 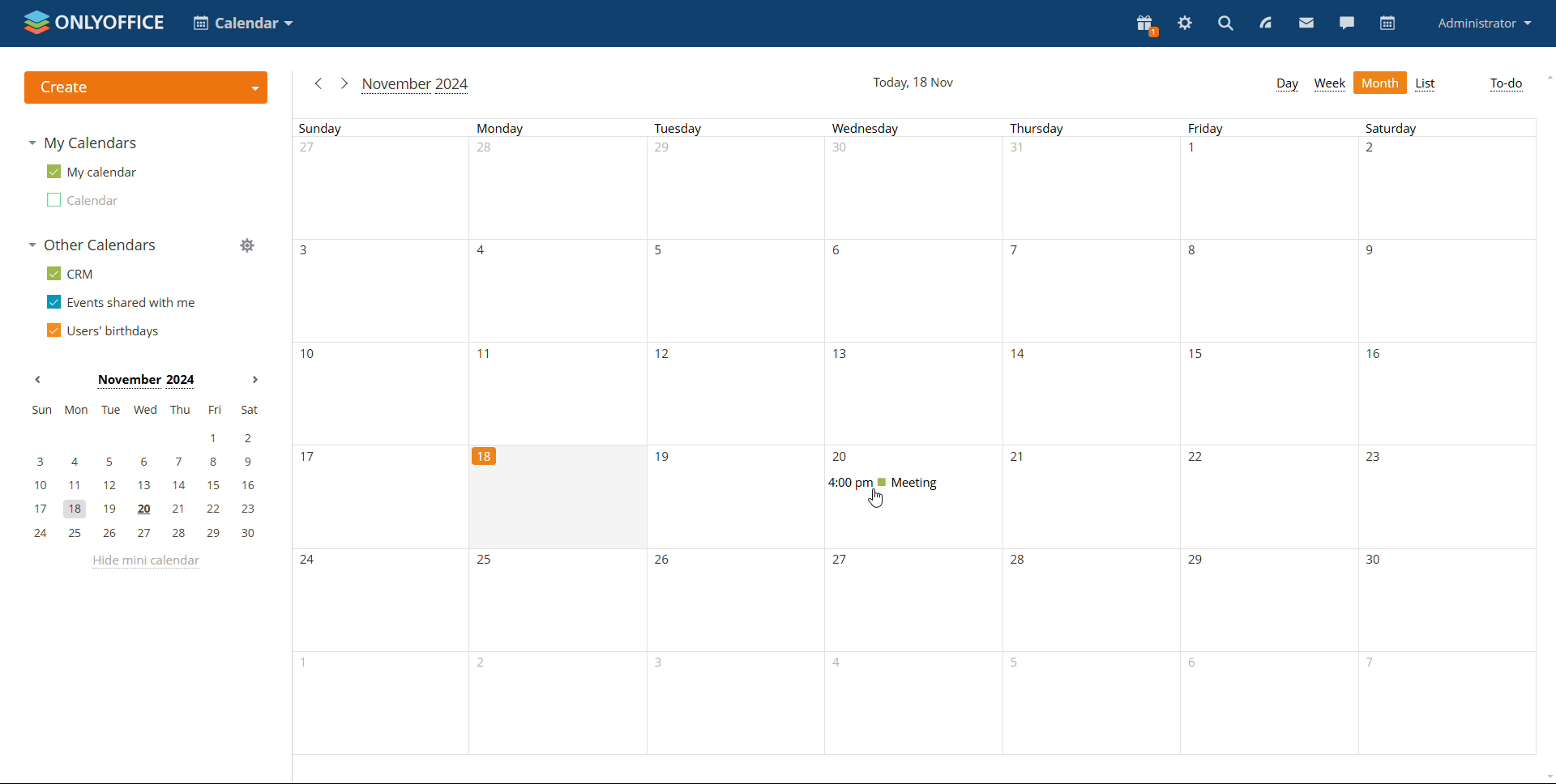 What do you see at coordinates (737, 437) in the screenshot?
I see `tuesdays` at bounding box center [737, 437].